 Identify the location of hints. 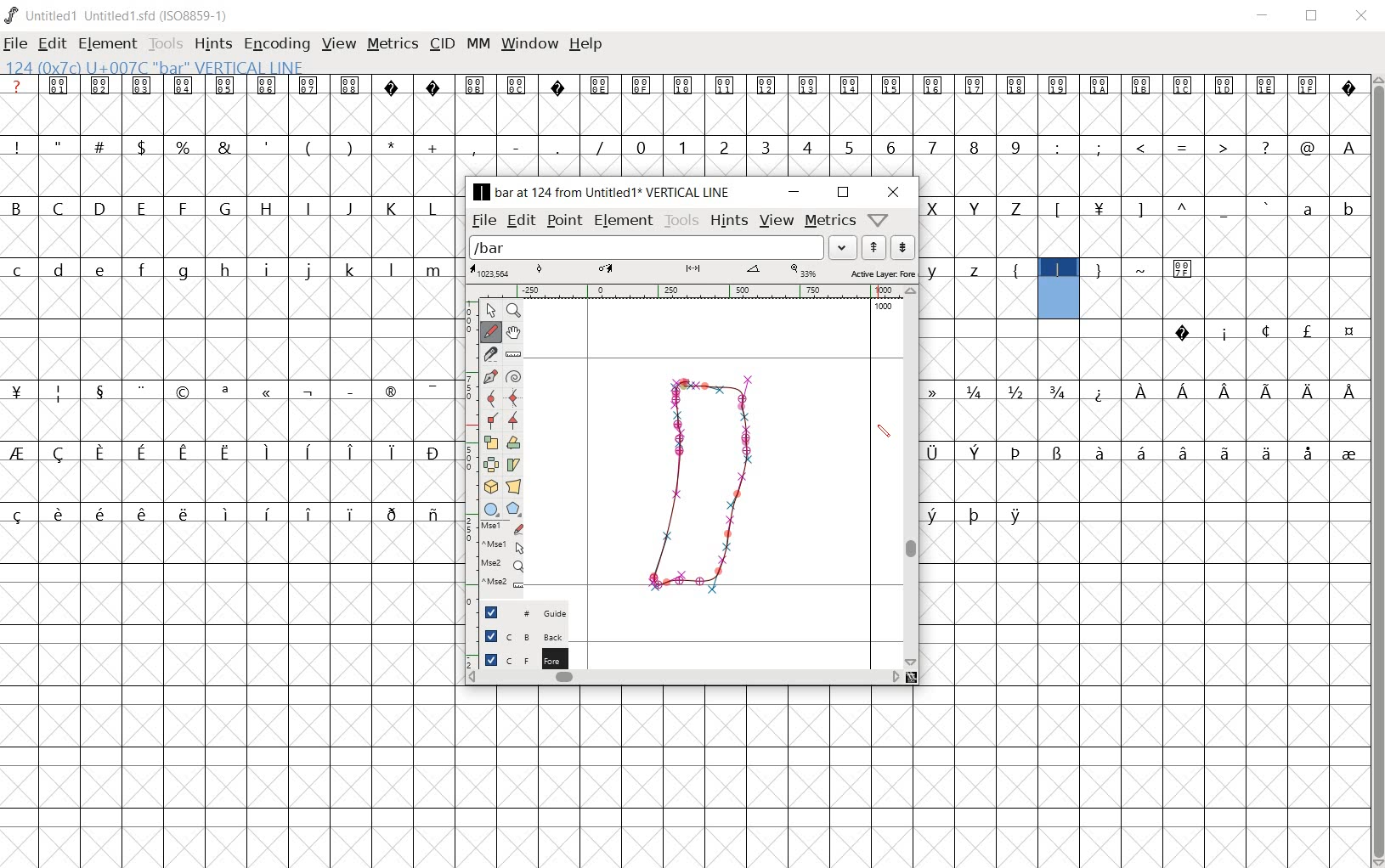
(728, 220).